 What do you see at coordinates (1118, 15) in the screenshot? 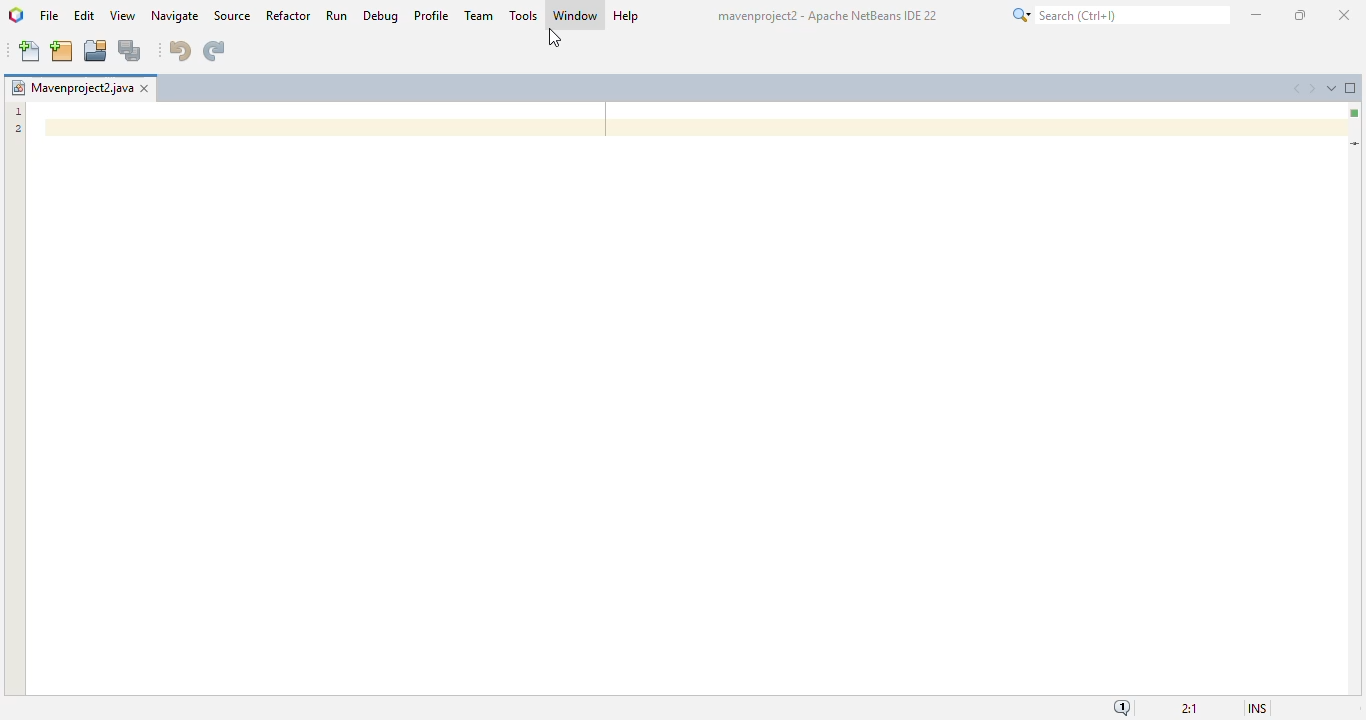
I see `search` at bounding box center [1118, 15].